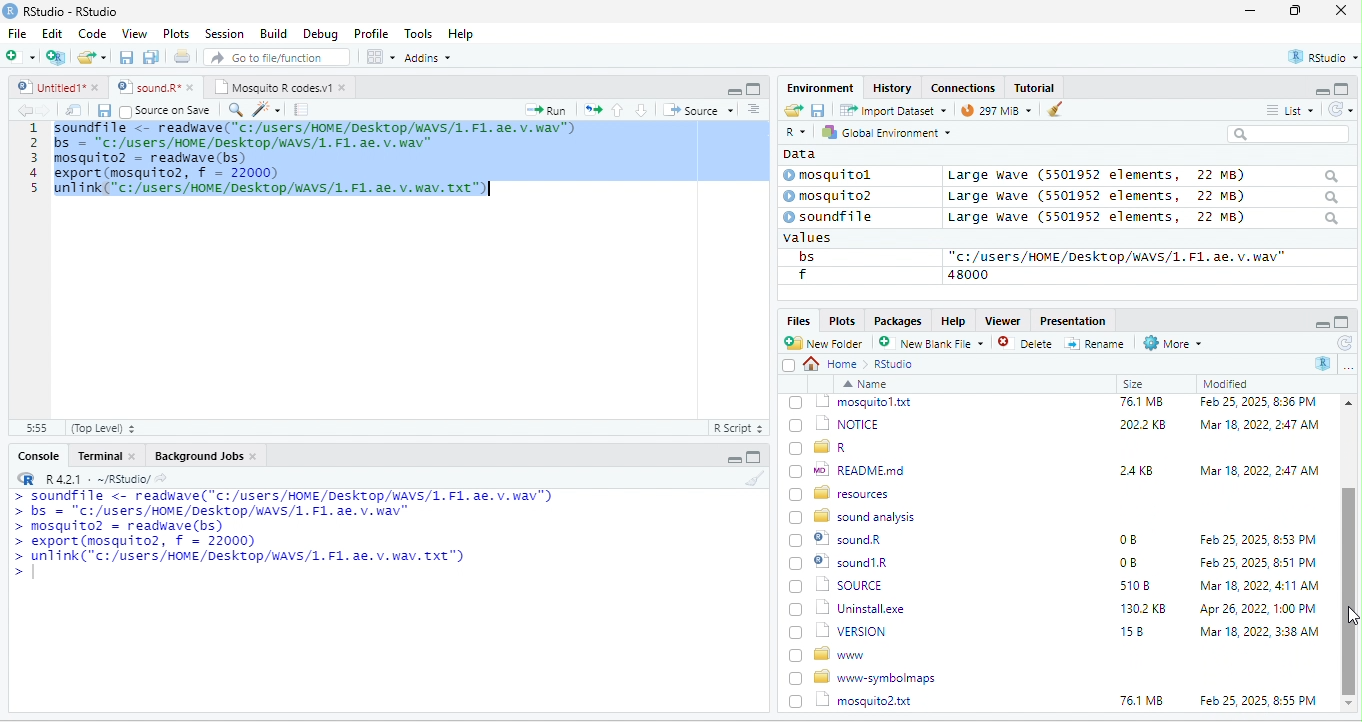 The width and height of the screenshot is (1362, 722). I want to click on © soundfile, so click(837, 216).